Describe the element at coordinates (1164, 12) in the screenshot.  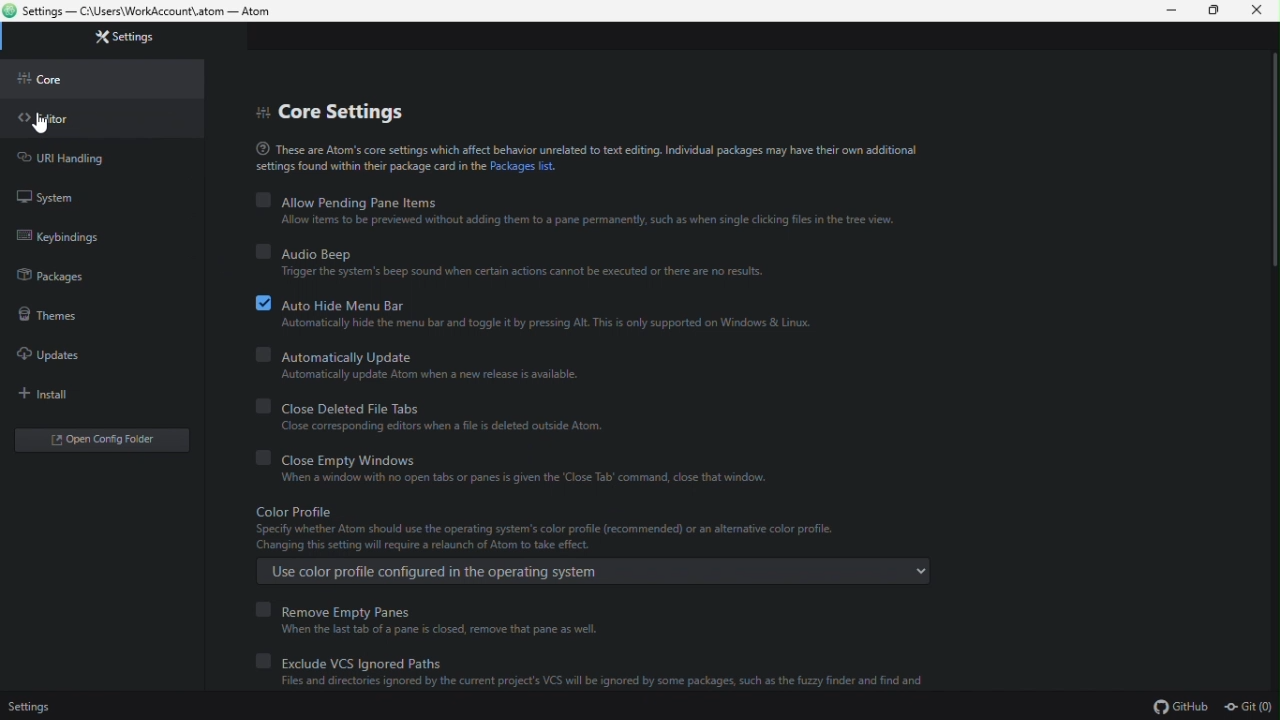
I see `minimize` at that location.